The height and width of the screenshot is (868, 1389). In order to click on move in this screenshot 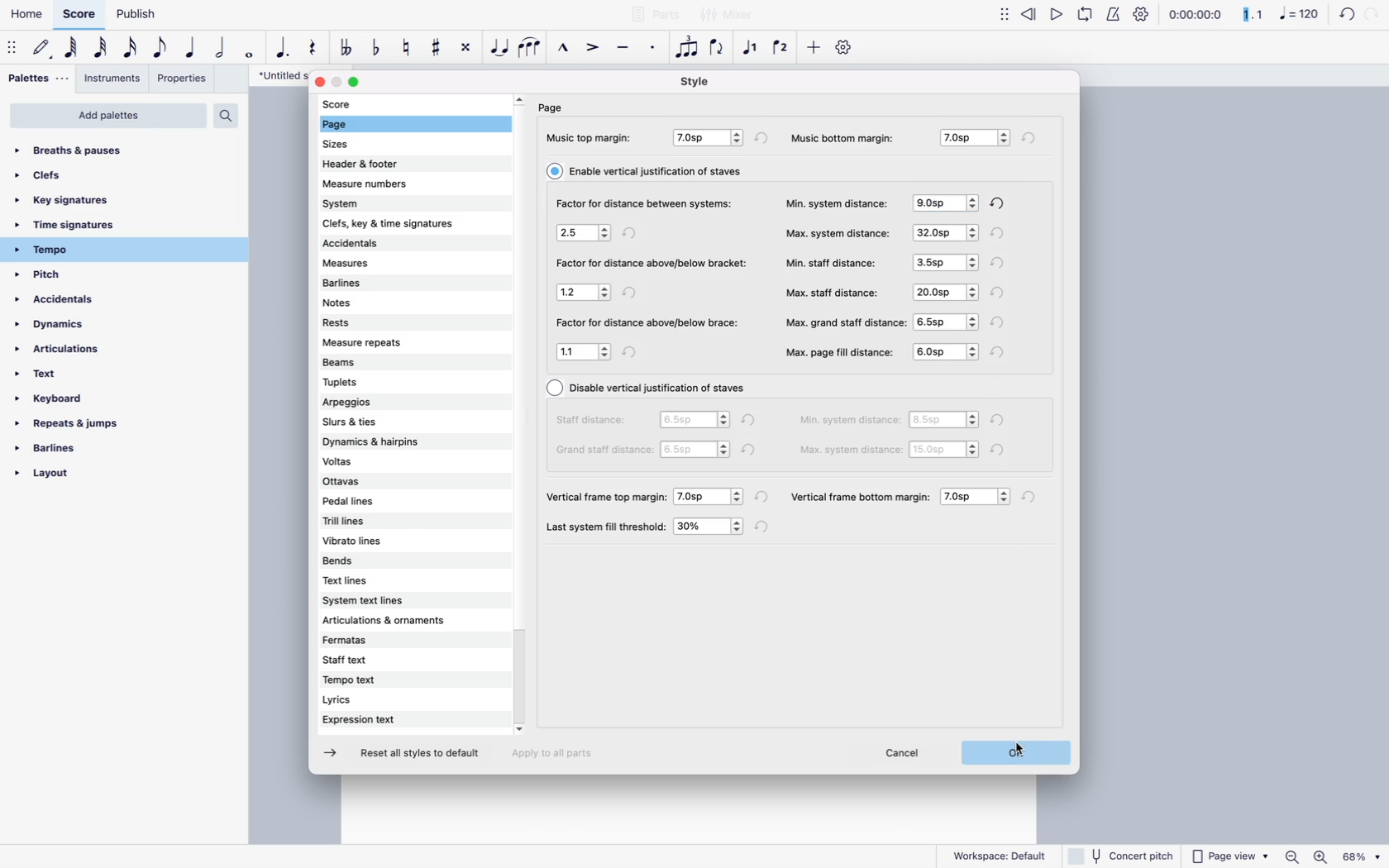, I will do `click(13, 50)`.